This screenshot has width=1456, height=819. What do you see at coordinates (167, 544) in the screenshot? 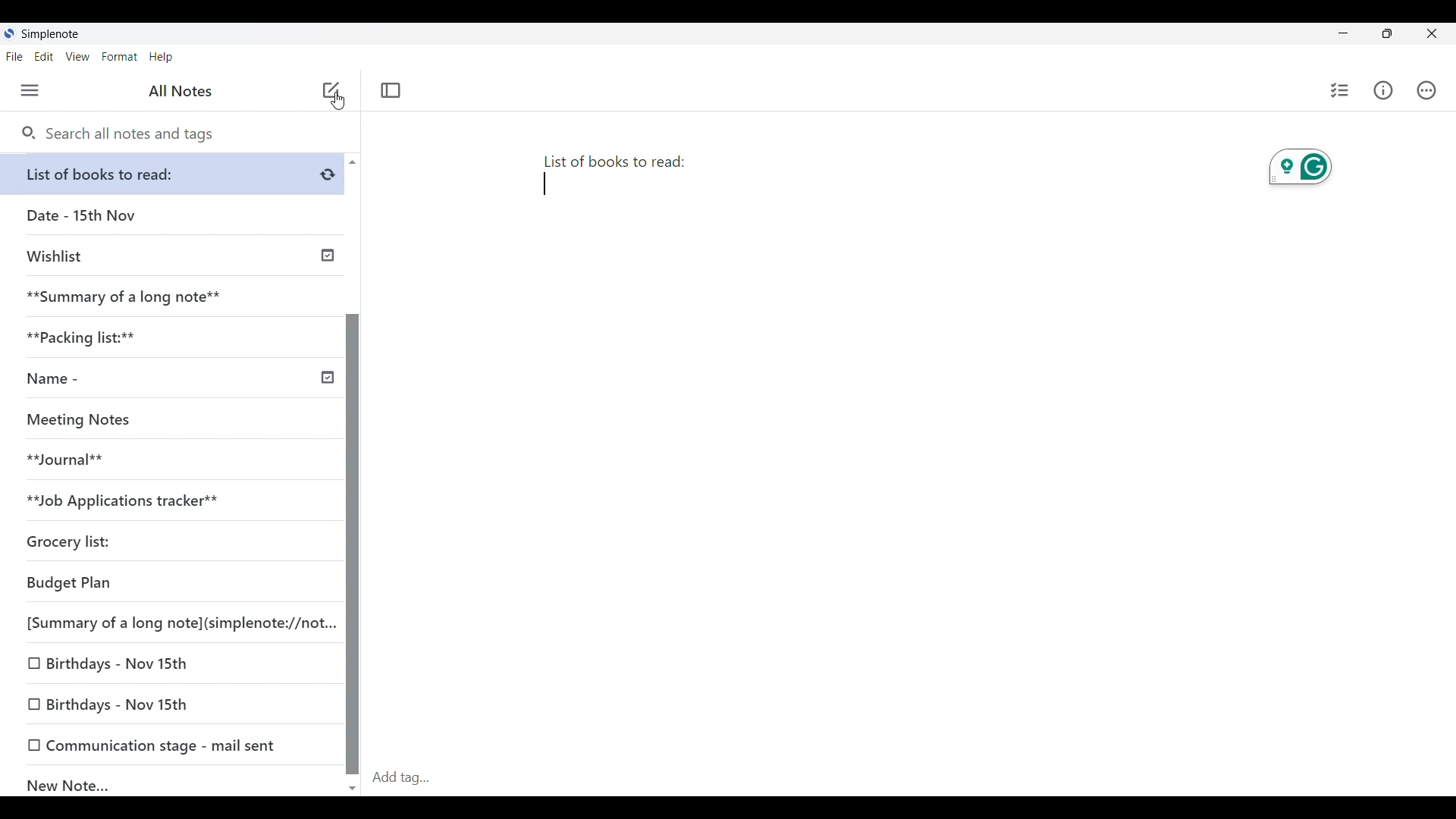
I see `Grocery list:` at bounding box center [167, 544].